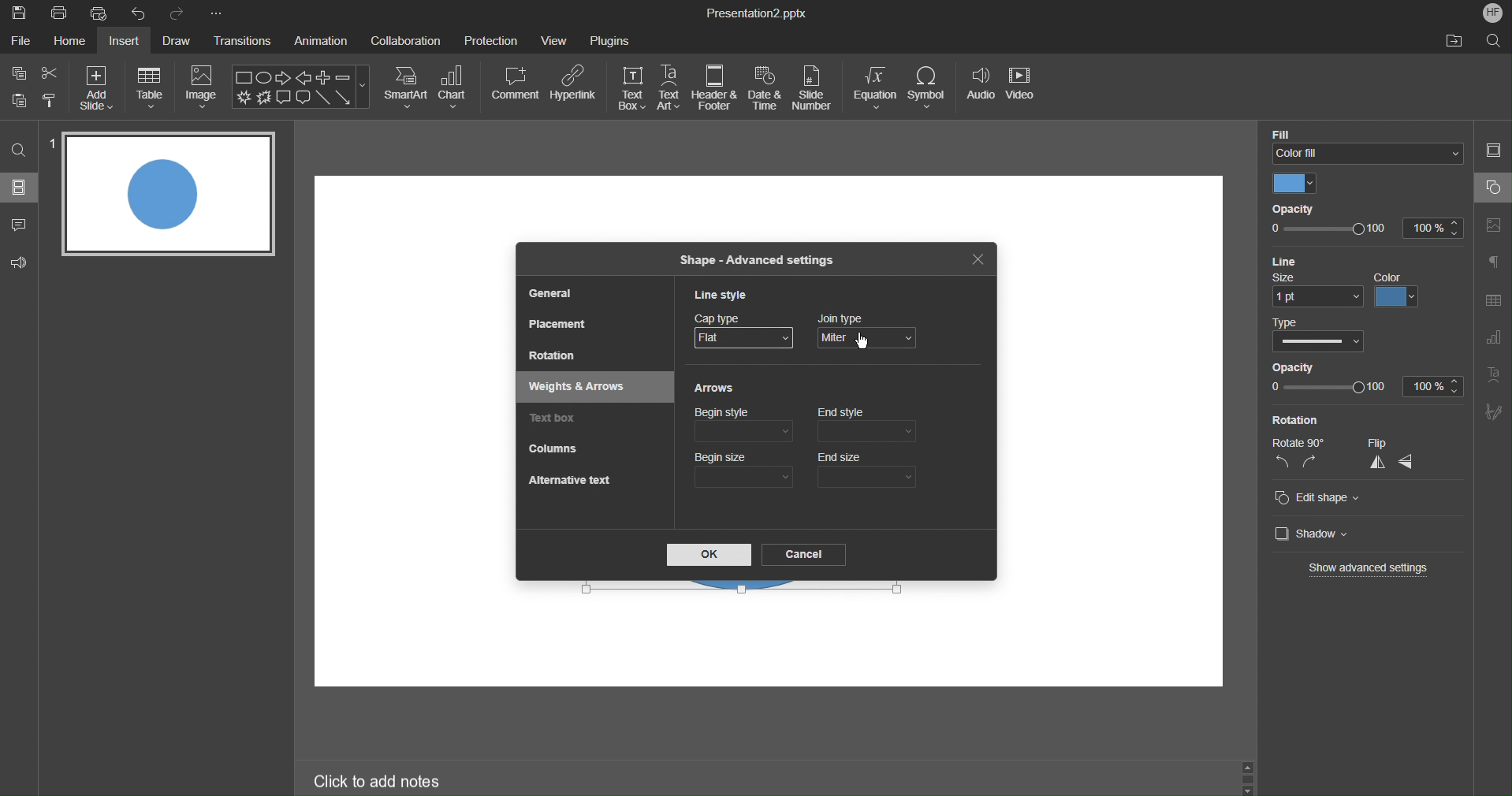 Image resolution: width=1512 pixels, height=796 pixels. I want to click on Line Style, so click(726, 296).